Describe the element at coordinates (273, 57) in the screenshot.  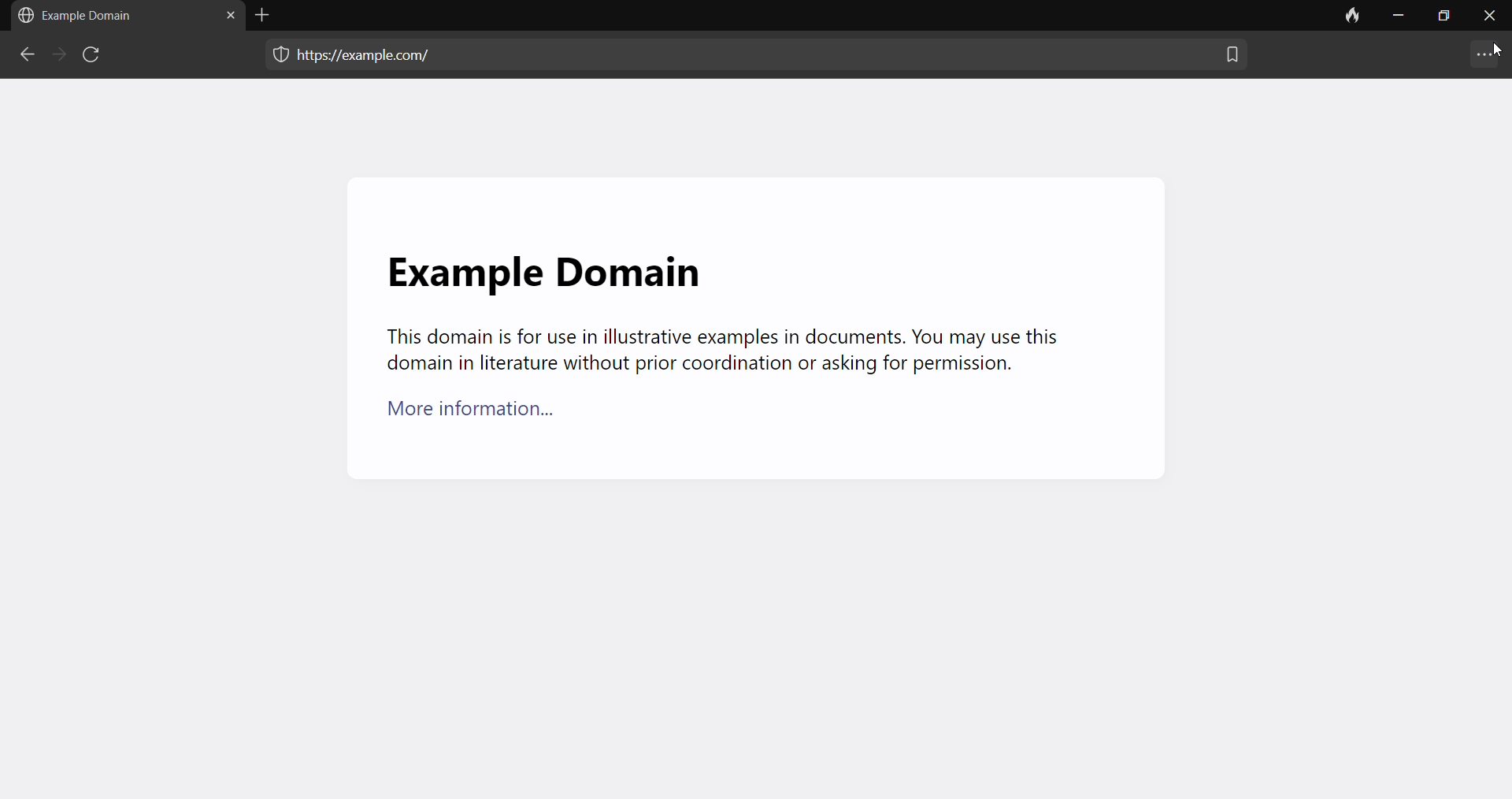
I see `protection menu` at that location.